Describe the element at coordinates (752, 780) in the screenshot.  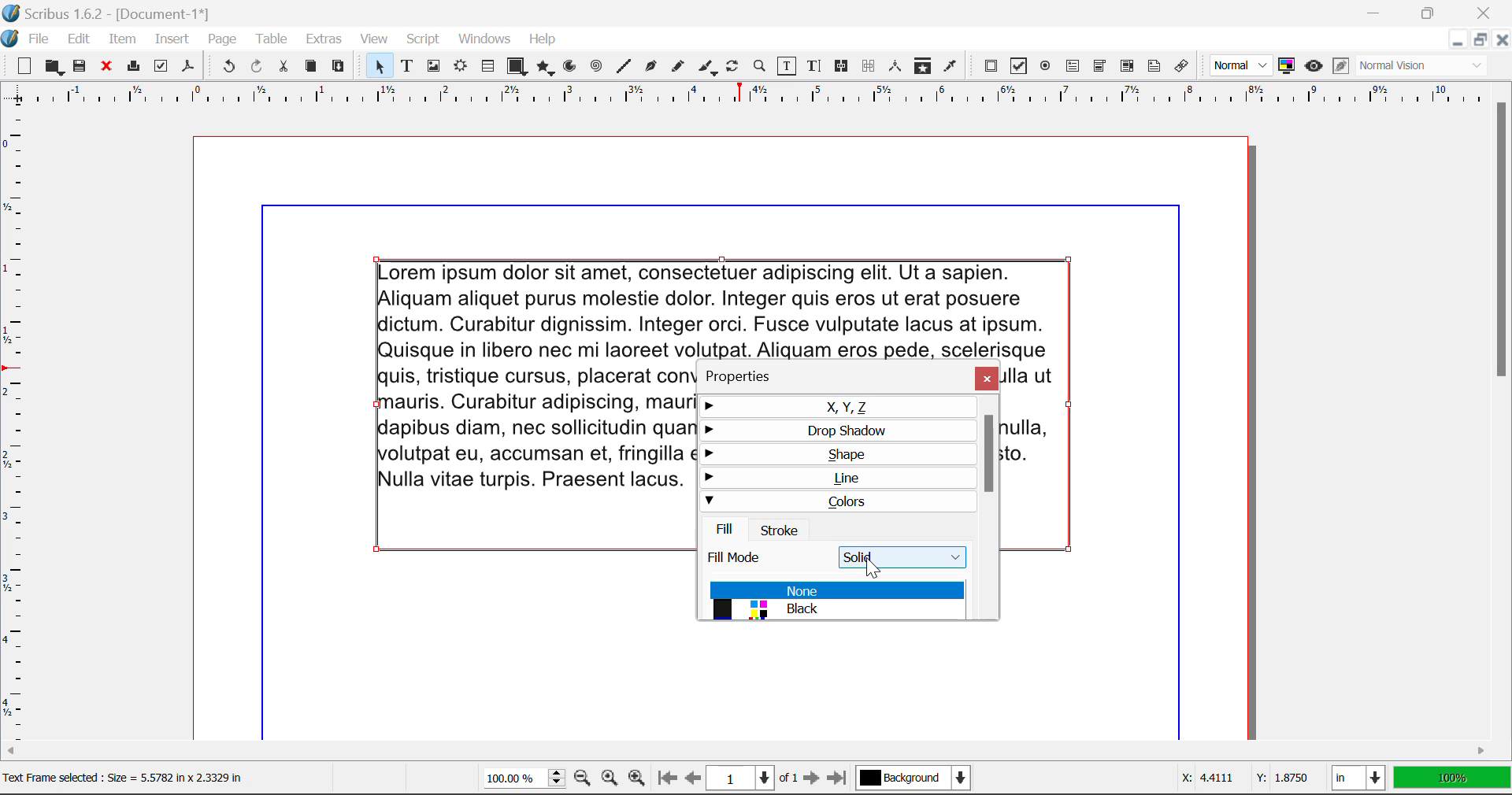
I see `Page 1 of 1` at that location.